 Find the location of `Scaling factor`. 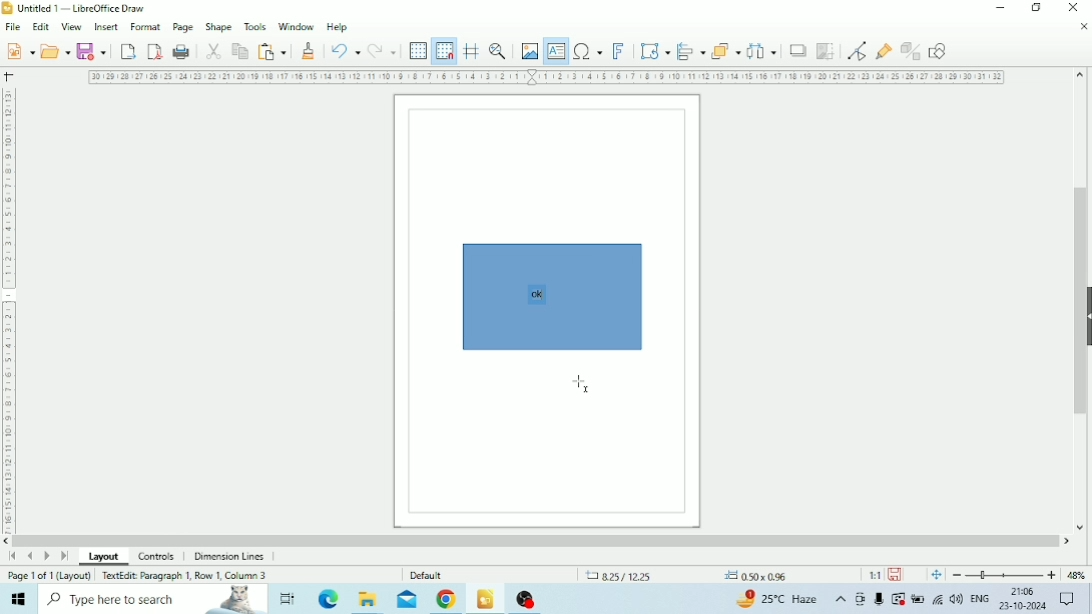

Scaling factor is located at coordinates (873, 574).